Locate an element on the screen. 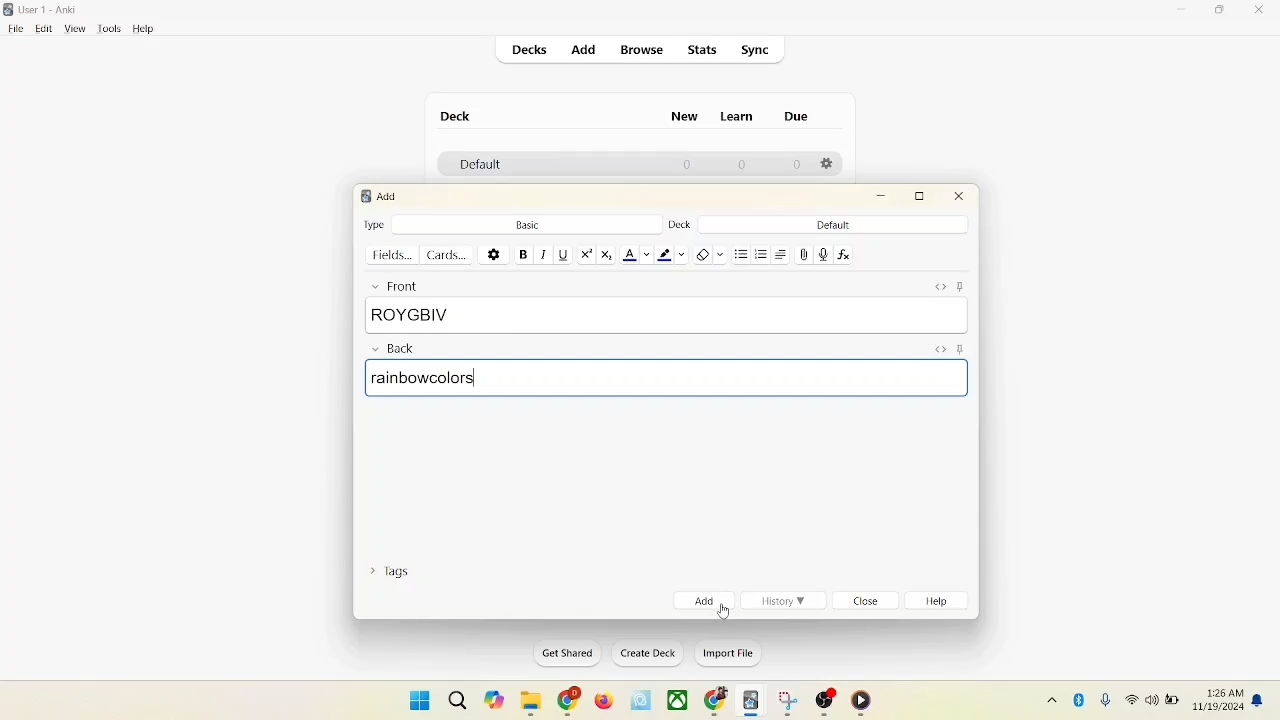  text highlight color is located at coordinates (670, 254).